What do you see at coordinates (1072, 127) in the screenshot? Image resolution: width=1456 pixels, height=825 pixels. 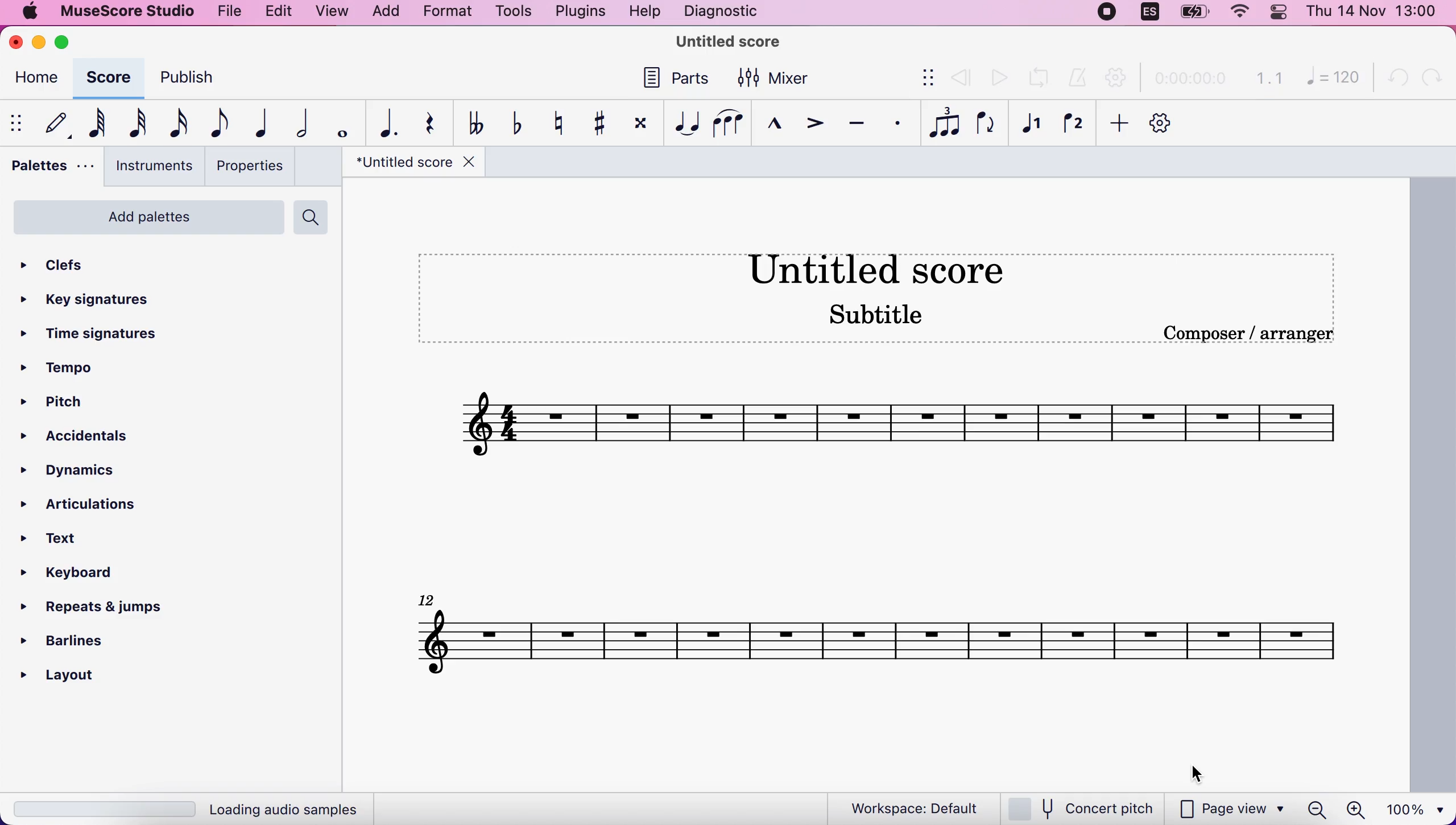 I see `voice2` at bounding box center [1072, 127].